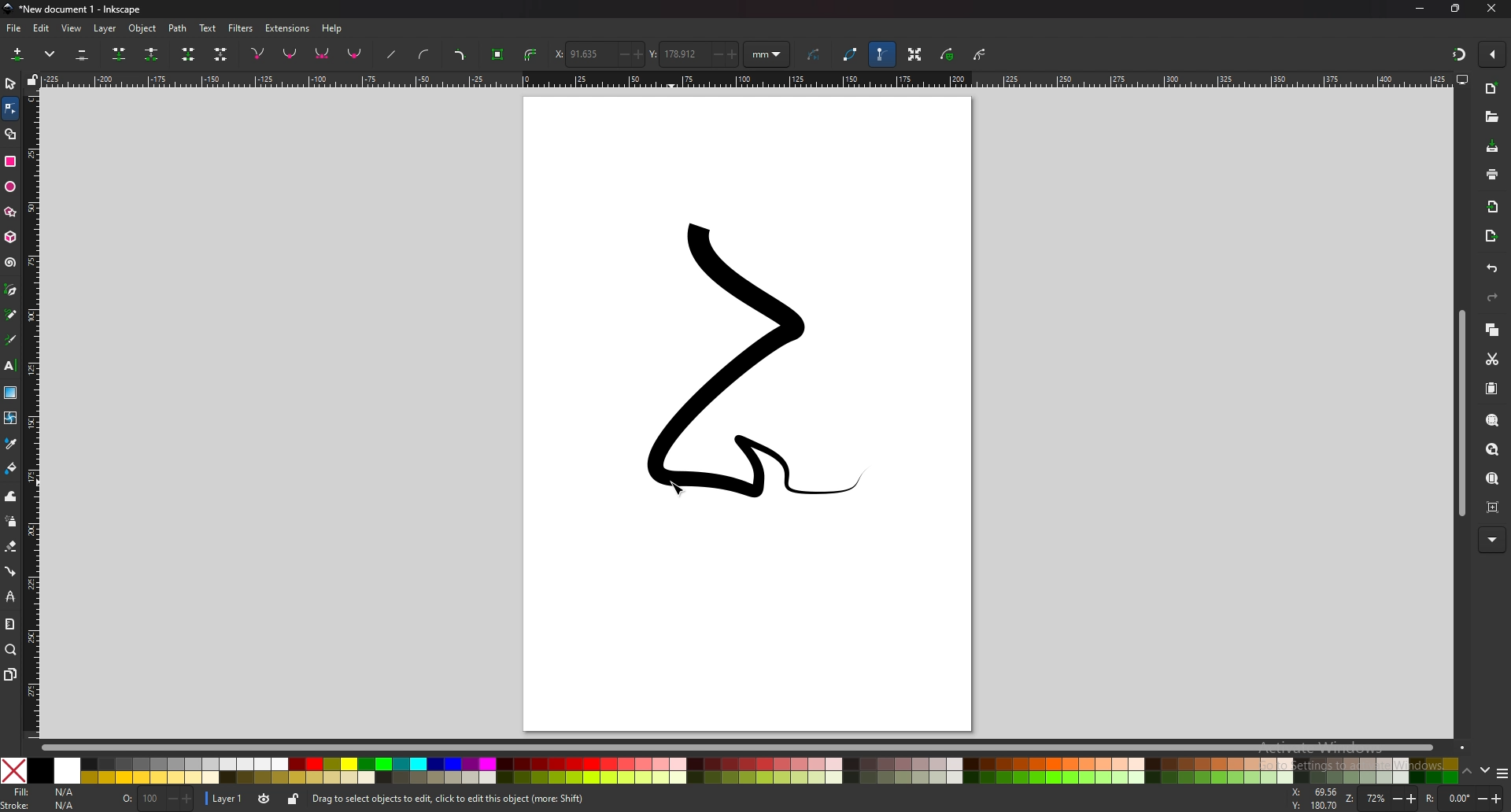 This screenshot has width=1511, height=812. What do you see at coordinates (535, 799) in the screenshot?
I see `info` at bounding box center [535, 799].